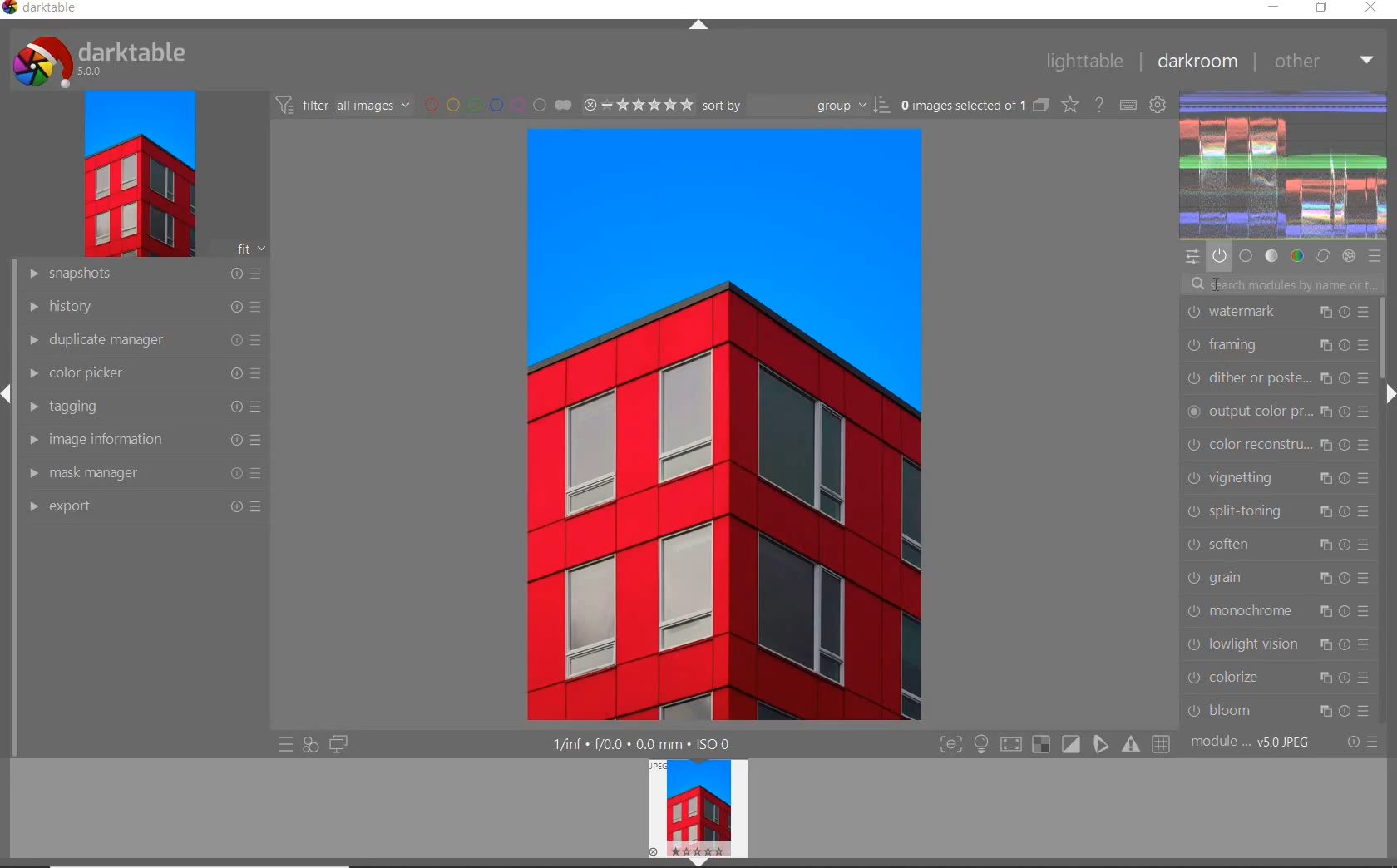 Image resolution: width=1397 pixels, height=868 pixels. What do you see at coordinates (699, 861) in the screenshot?
I see `expand/collapse` at bounding box center [699, 861].